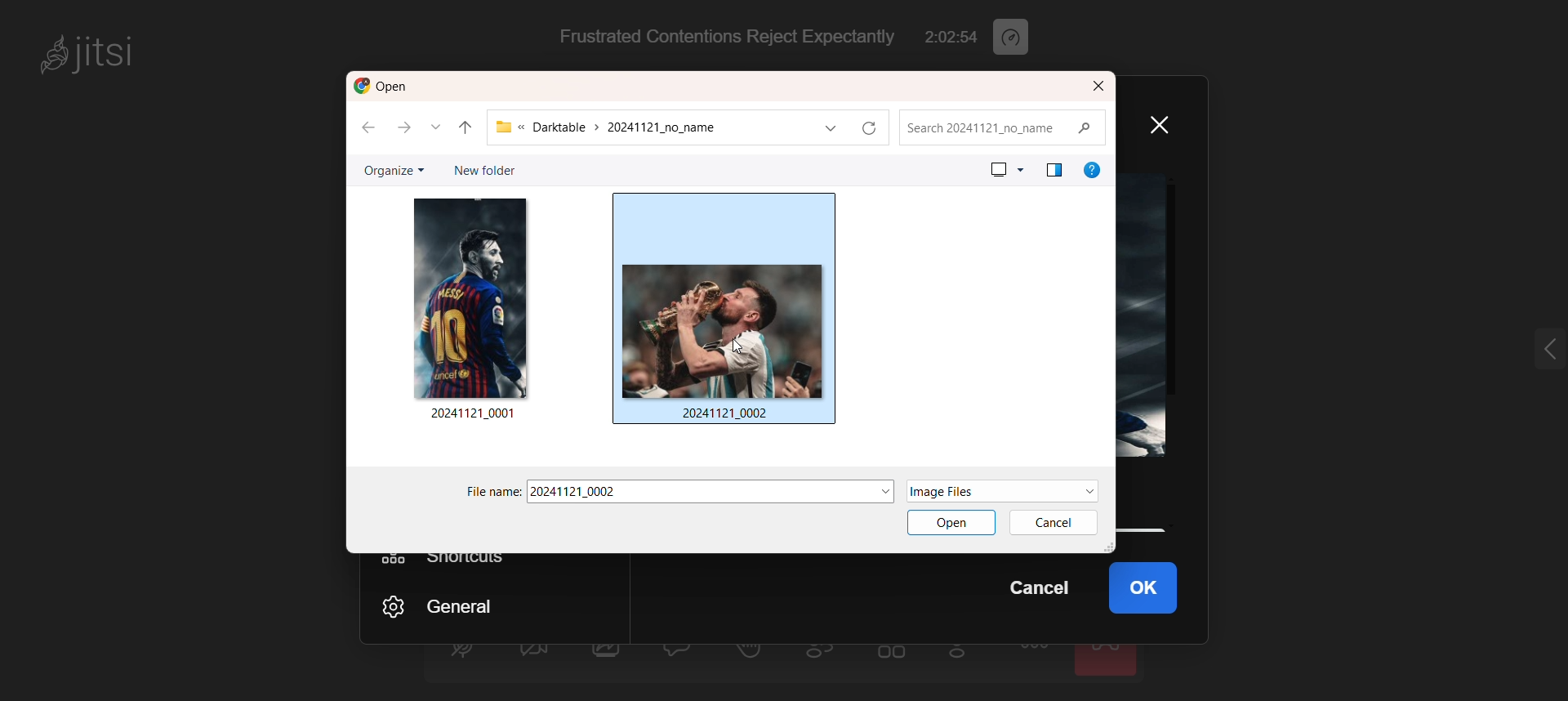 This screenshot has width=1568, height=701. Describe the element at coordinates (1108, 659) in the screenshot. I see `end call` at that location.